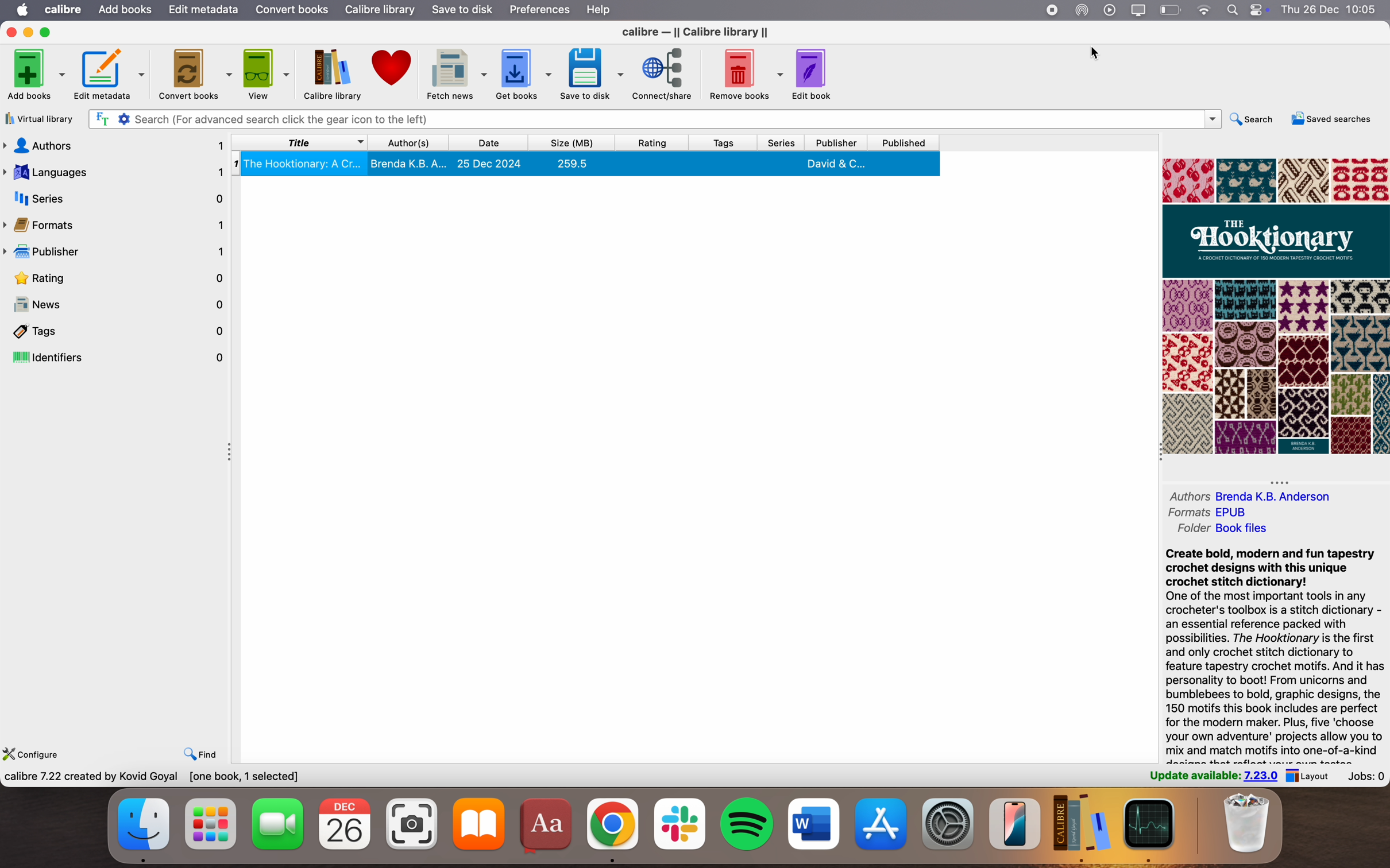 The width and height of the screenshot is (1390, 868). Describe the element at coordinates (746, 73) in the screenshot. I see `remove books` at that location.